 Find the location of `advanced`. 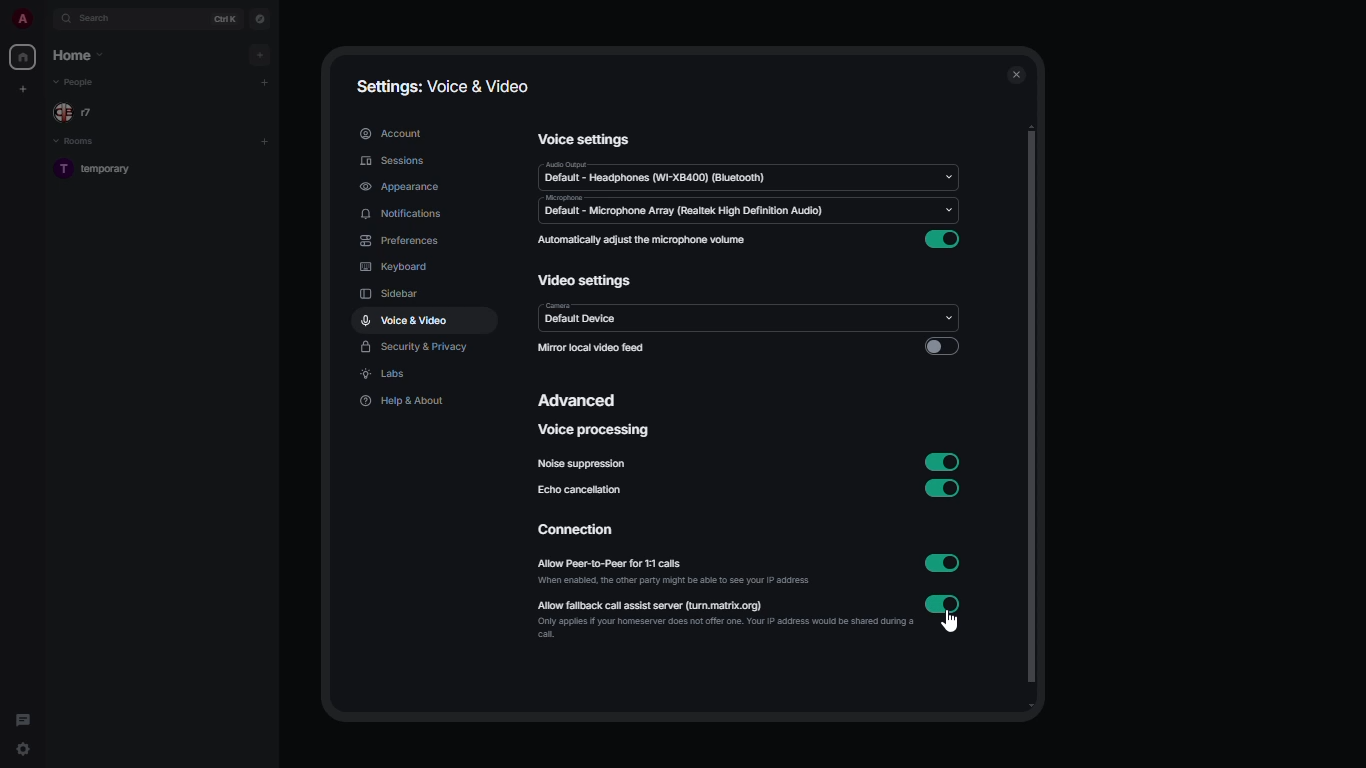

advanced is located at coordinates (580, 399).